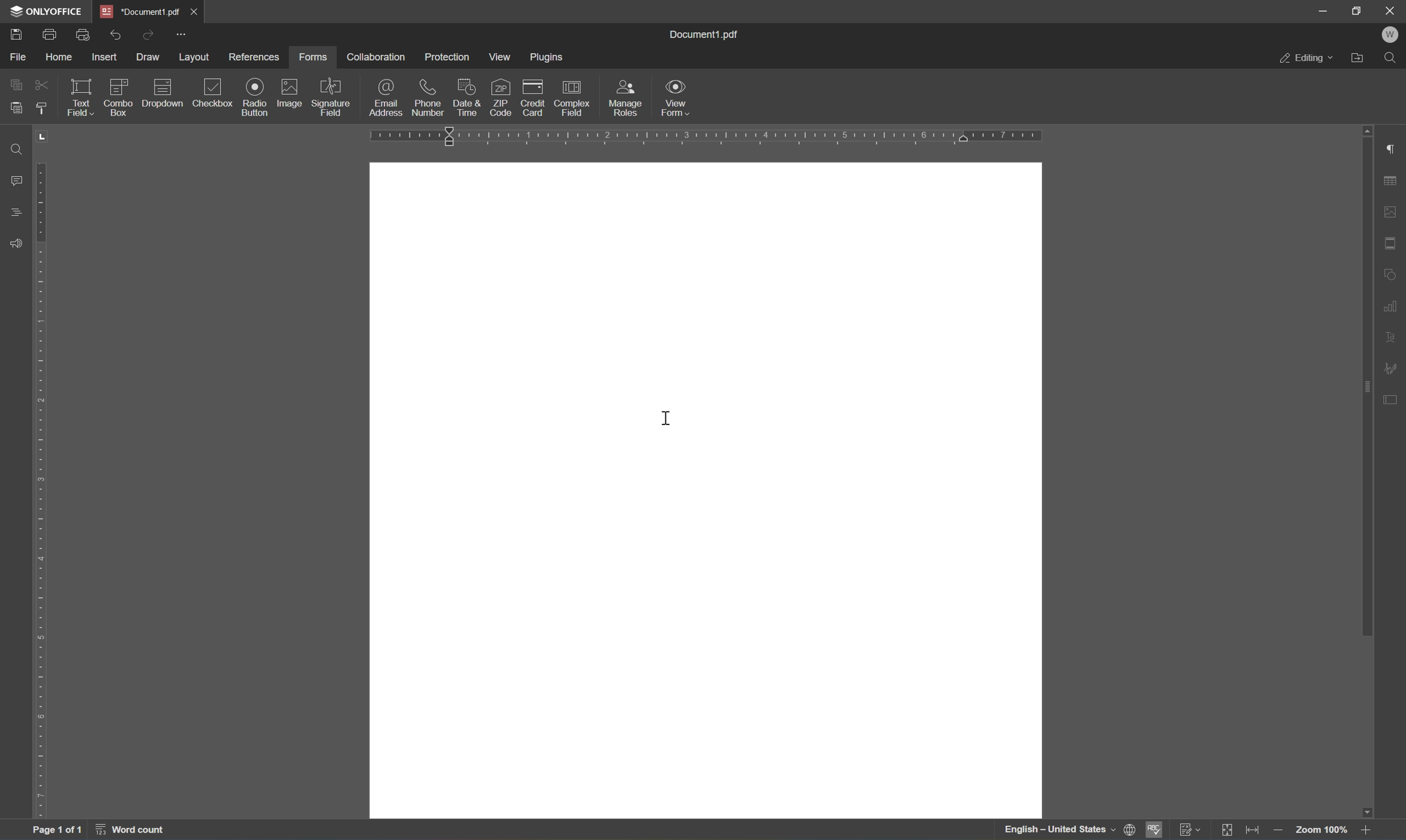  What do you see at coordinates (1326, 831) in the screenshot?
I see `zoom 100%` at bounding box center [1326, 831].